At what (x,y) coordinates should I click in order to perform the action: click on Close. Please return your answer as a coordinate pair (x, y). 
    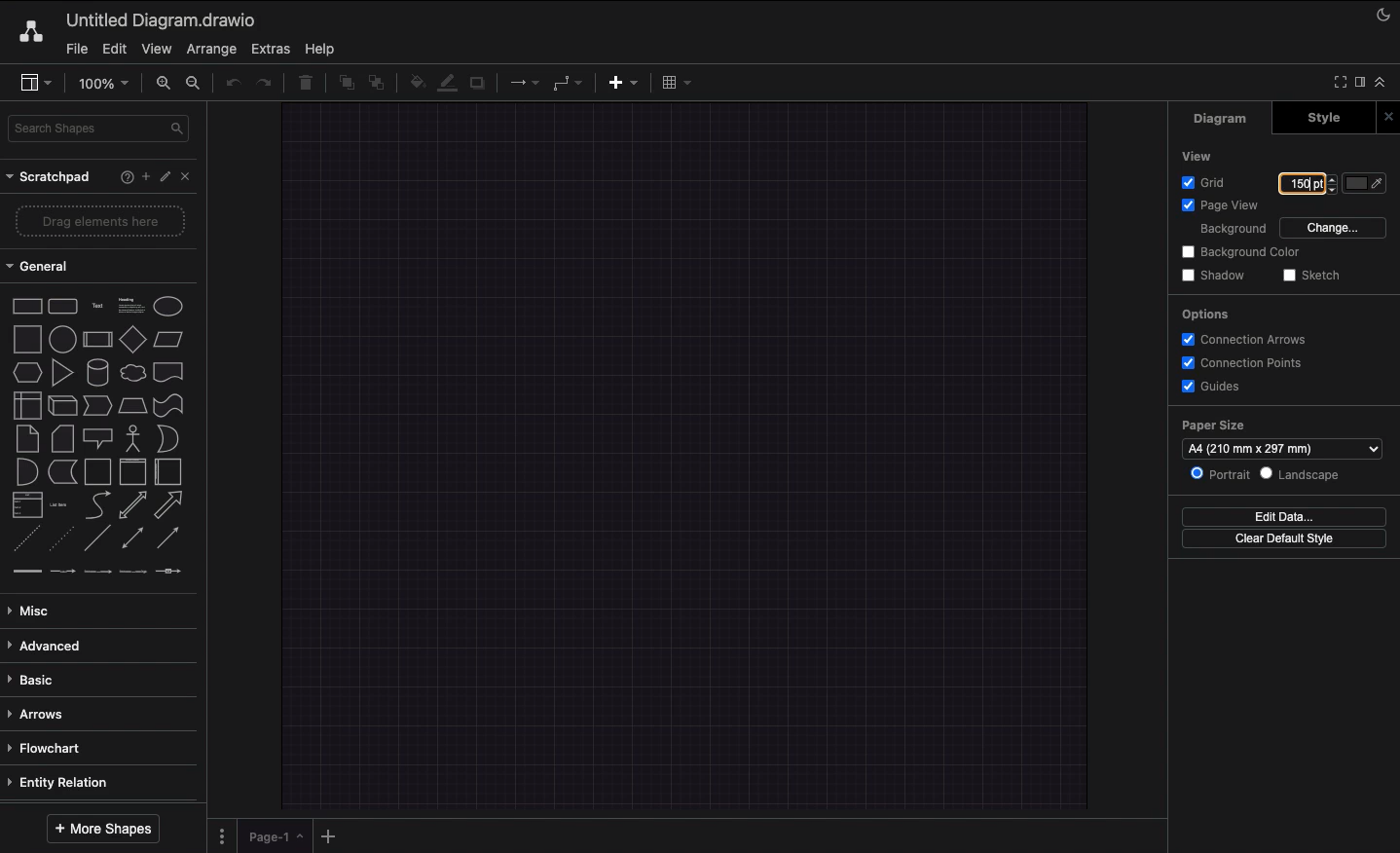
    Looking at the image, I should click on (189, 178).